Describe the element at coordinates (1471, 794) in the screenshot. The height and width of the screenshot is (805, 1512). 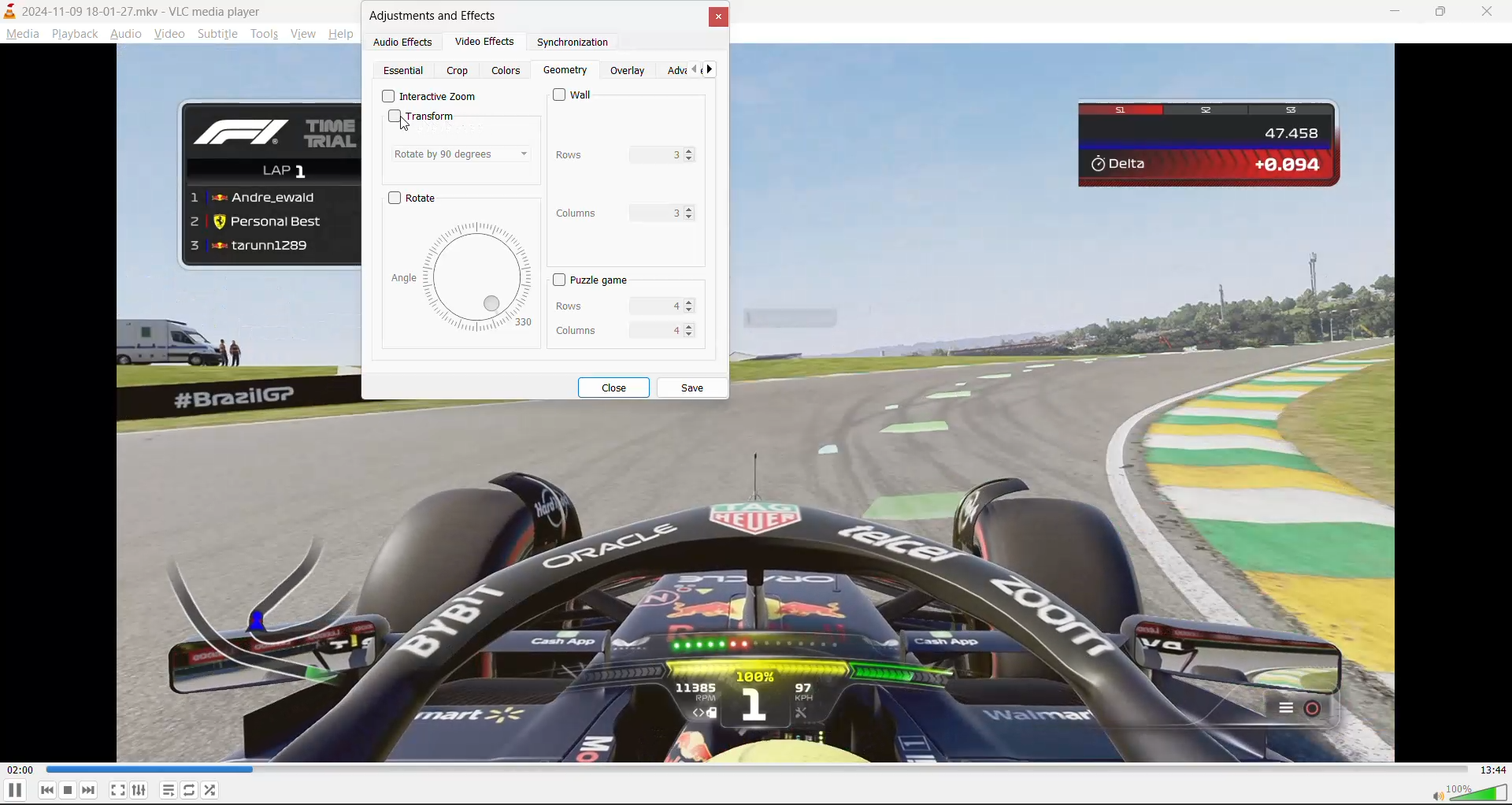
I see `volume` at that location.